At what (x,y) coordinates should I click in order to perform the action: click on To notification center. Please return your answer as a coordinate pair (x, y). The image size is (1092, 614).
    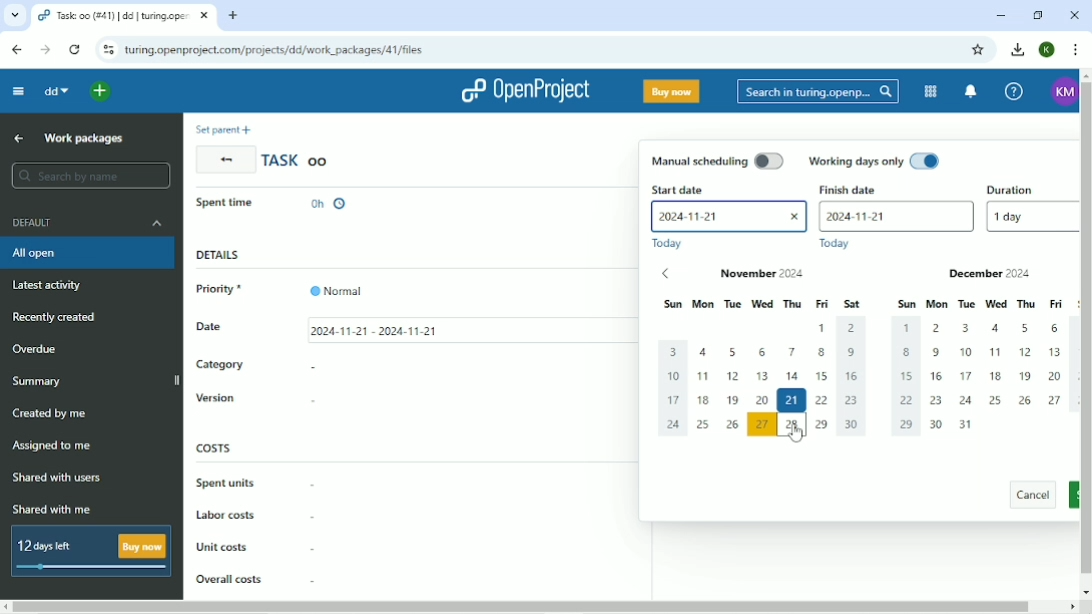
    Looking at the image, I should click on (972, 91).